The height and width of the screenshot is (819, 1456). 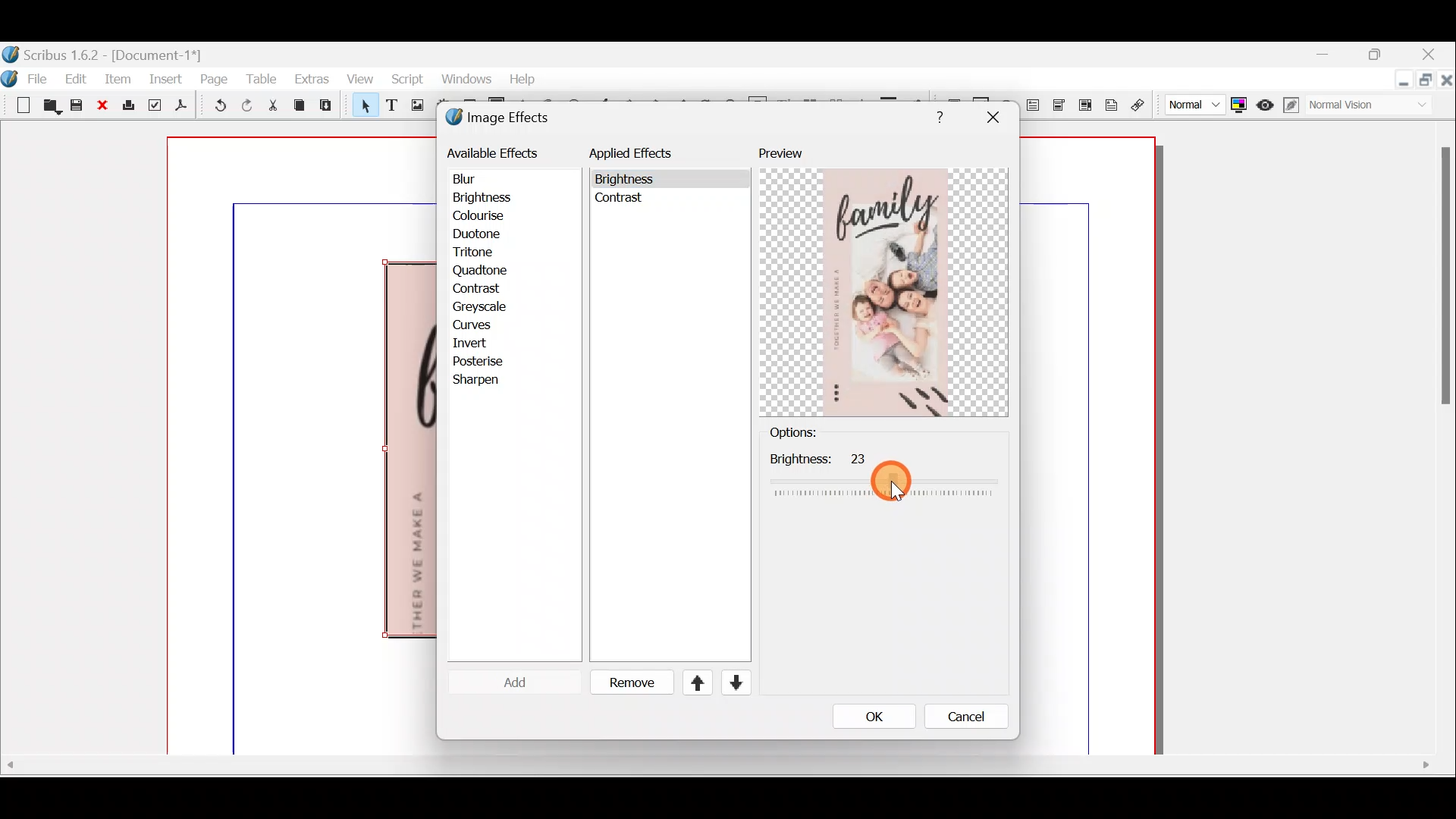 I want to click on Cancel, so click(x=956, y=720).